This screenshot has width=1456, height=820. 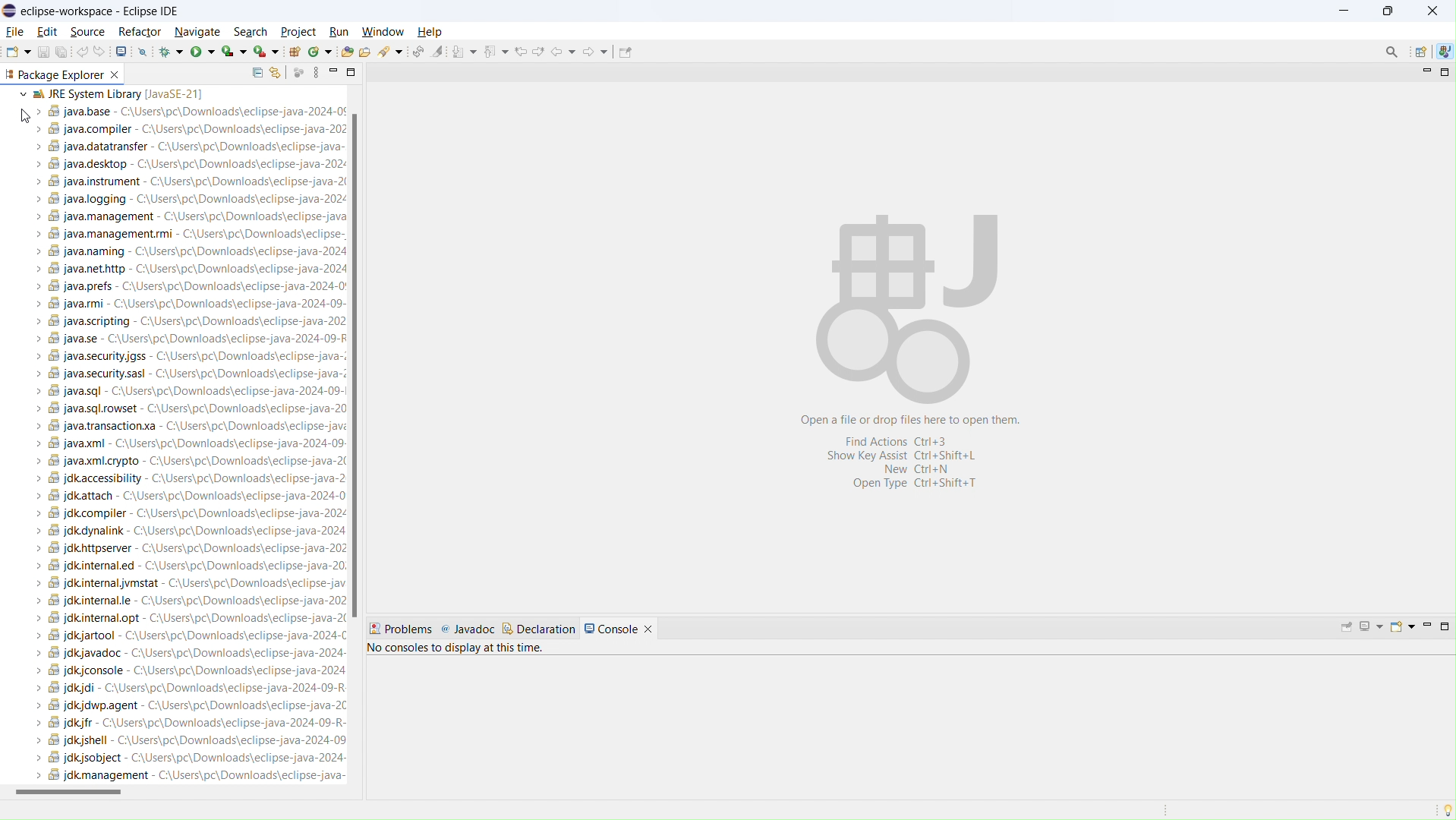 What do you see at coordinates (459, 646) in the screenshot?
I see `No consoles to display at this time.` at bounding box center [459, 646].